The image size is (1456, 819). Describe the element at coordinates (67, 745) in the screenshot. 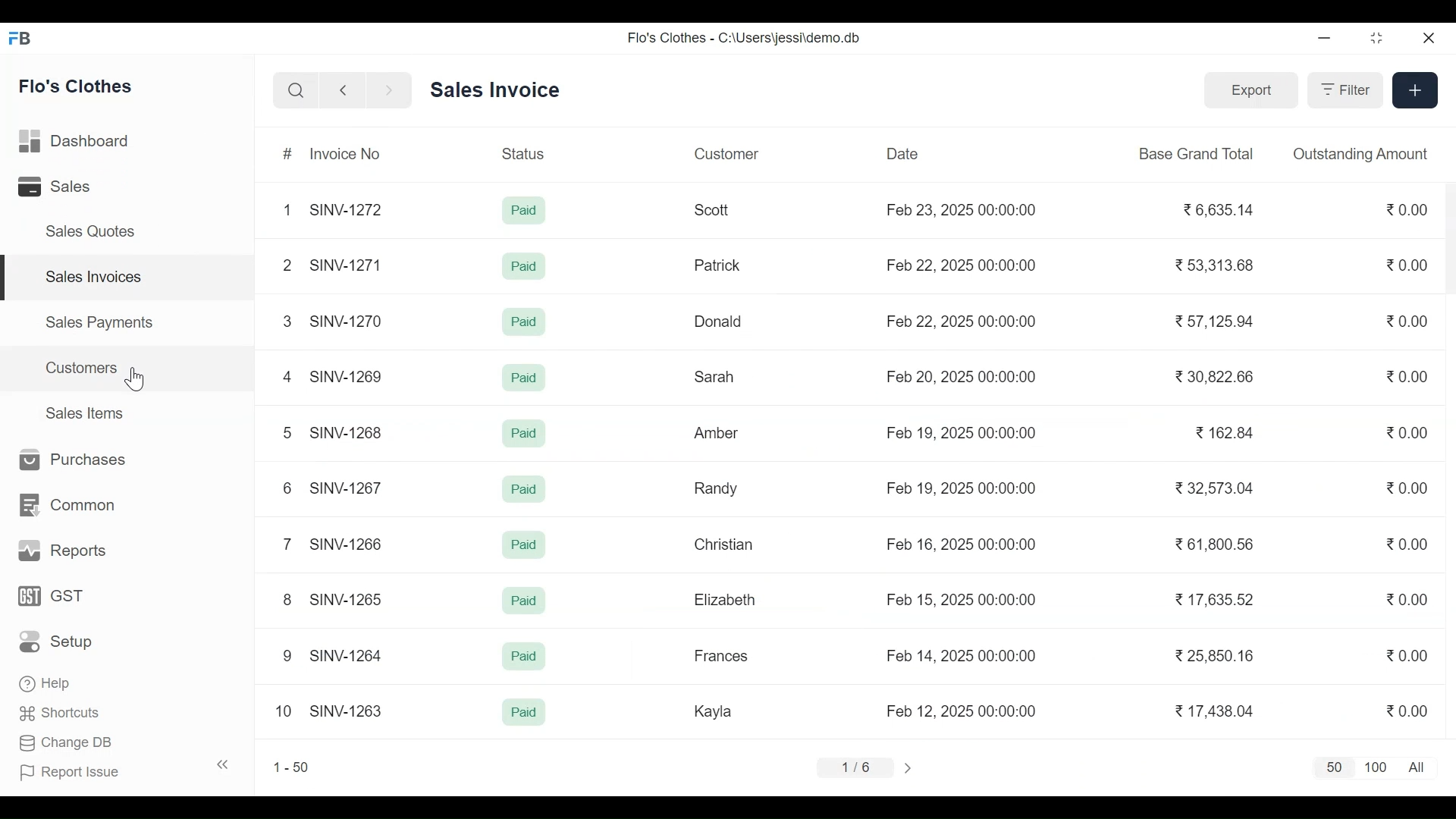

I see `Change DB` at that location.